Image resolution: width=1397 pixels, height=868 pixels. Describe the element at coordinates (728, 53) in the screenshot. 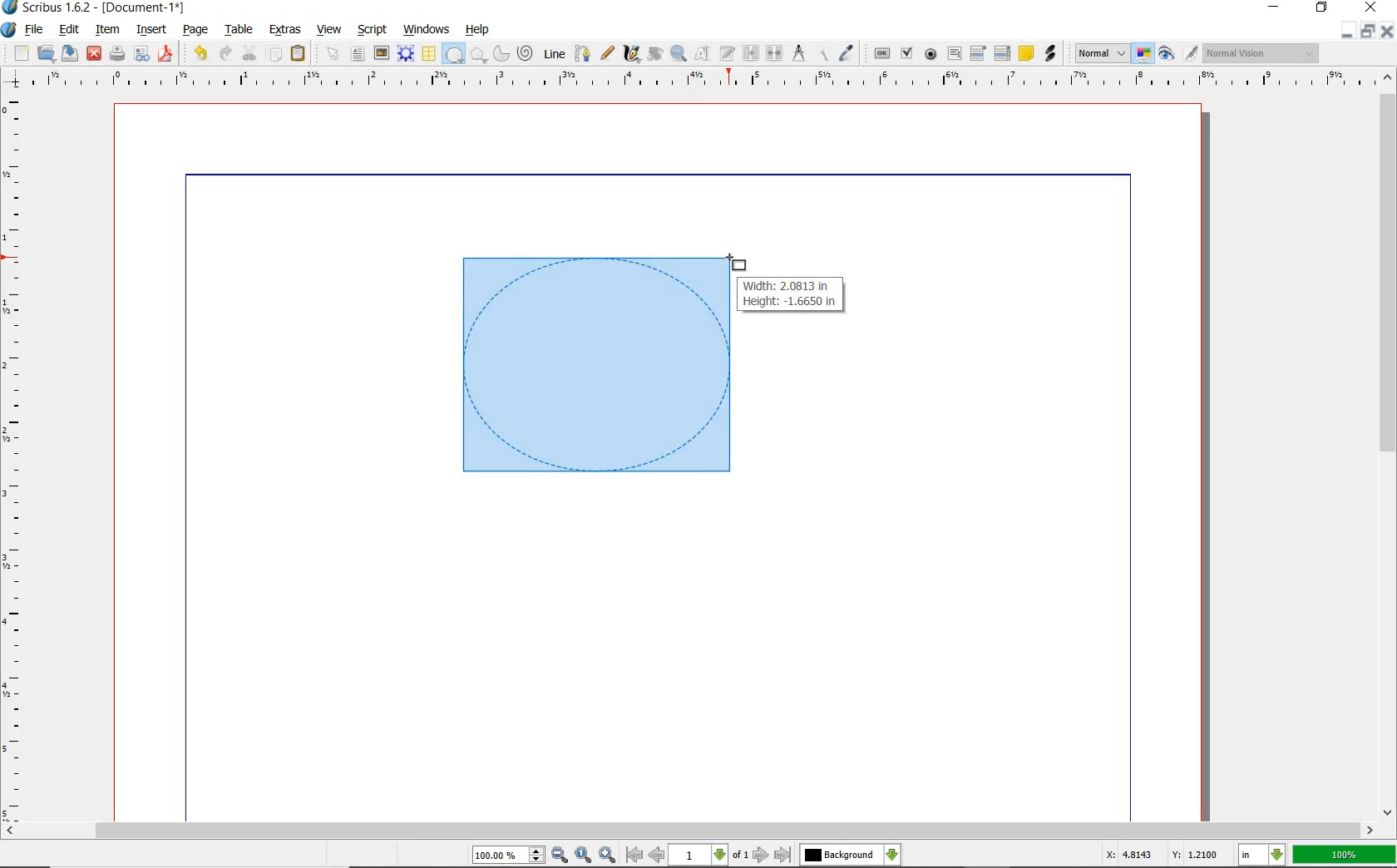

I see `EDIT TEXT WITH STORY EDITOR` at that location.